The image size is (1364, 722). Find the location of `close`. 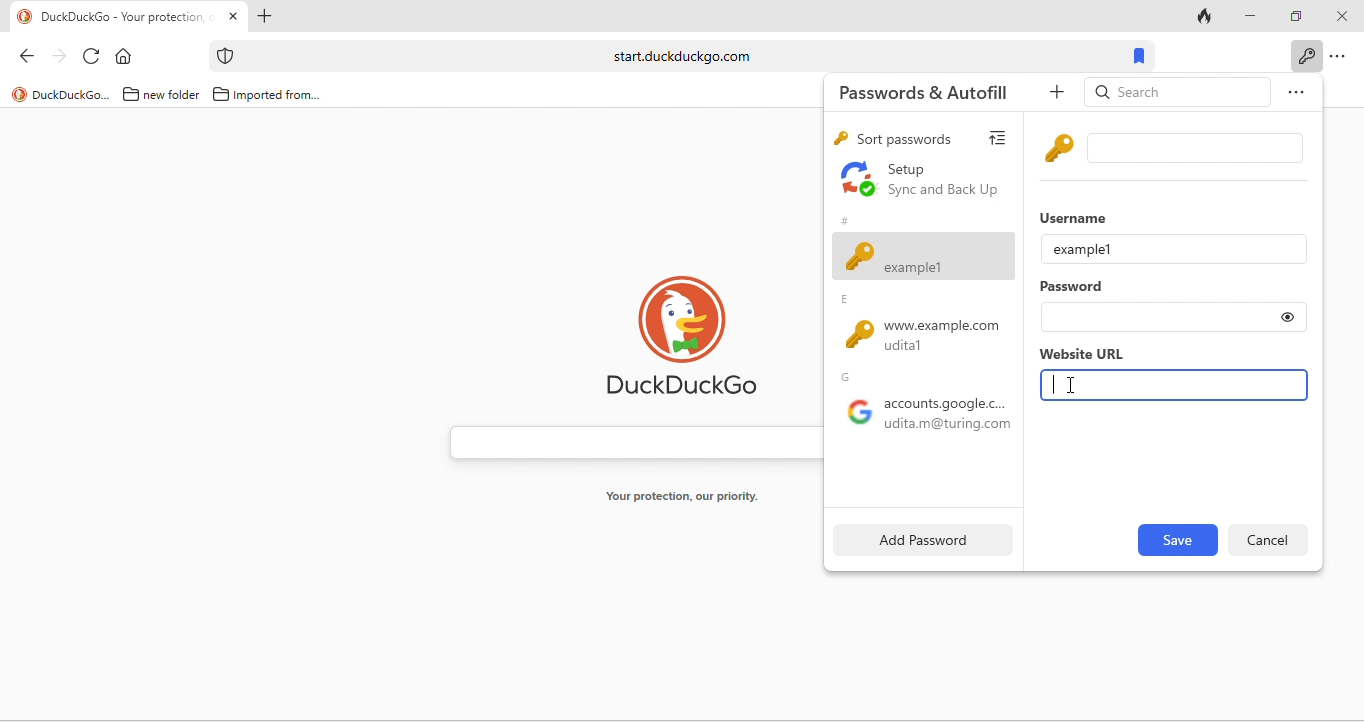

close is located at coordinates (1340, 17).